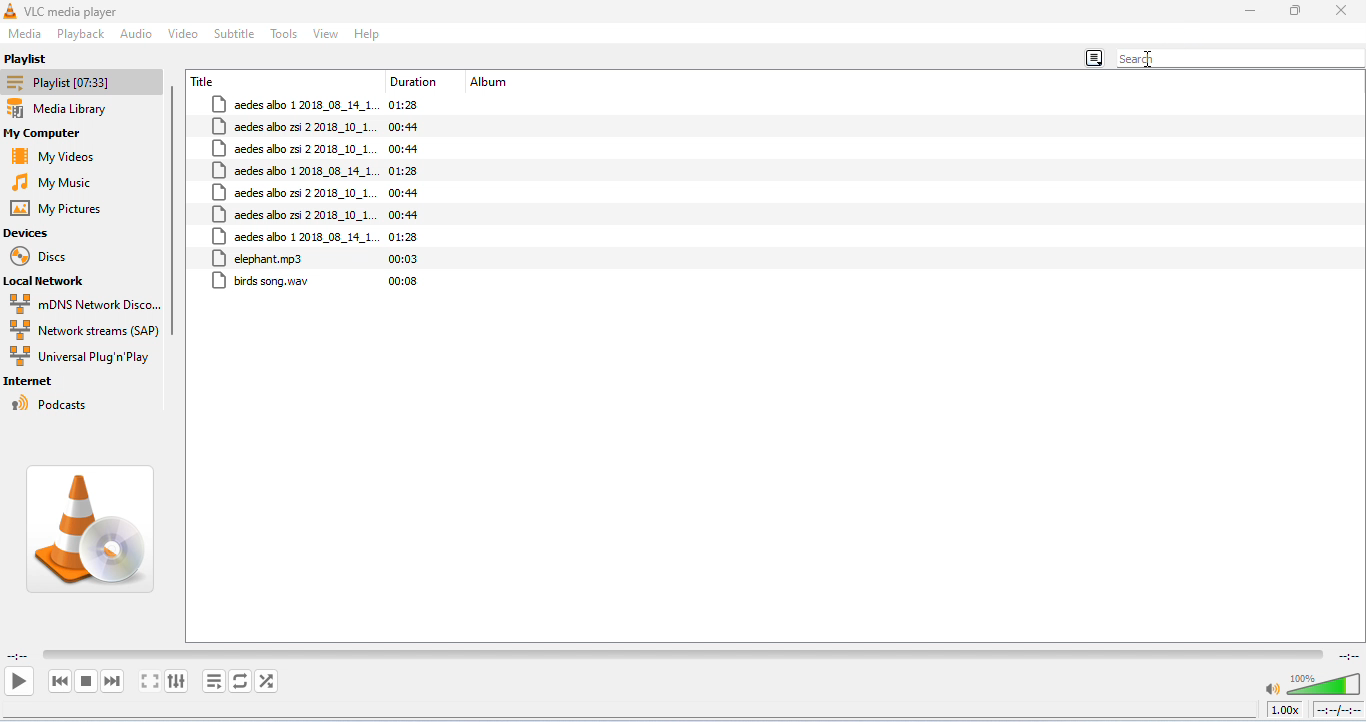 The image size is (1366, 722). What do you see at coordinates (295, 127) in the screenshot?
I see `aedes albo zsi 2 2018_08_10_1 ` at bounding box center [295, 127].